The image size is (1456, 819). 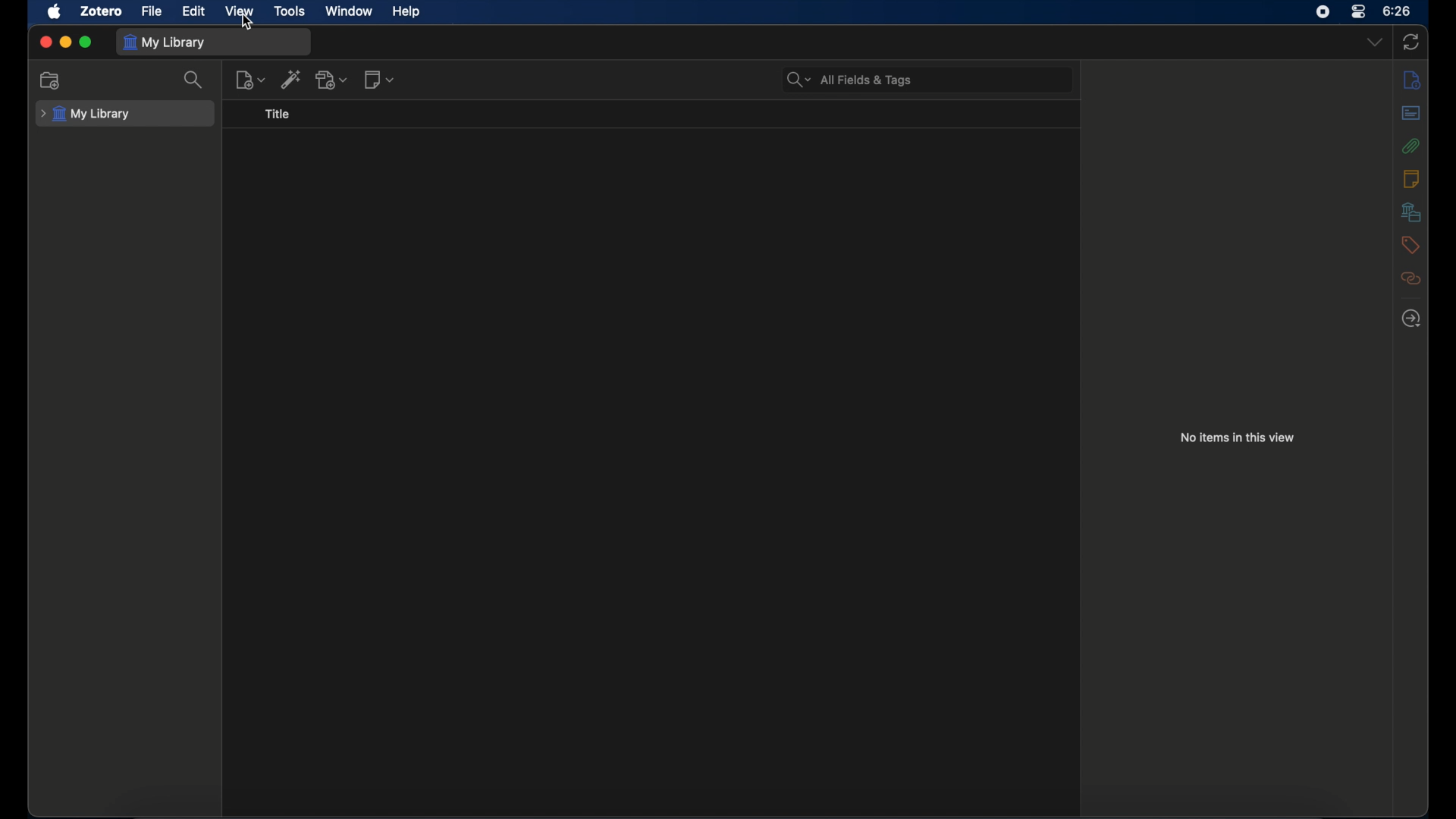 I want to click on notes, so click(x=1412, y=179).